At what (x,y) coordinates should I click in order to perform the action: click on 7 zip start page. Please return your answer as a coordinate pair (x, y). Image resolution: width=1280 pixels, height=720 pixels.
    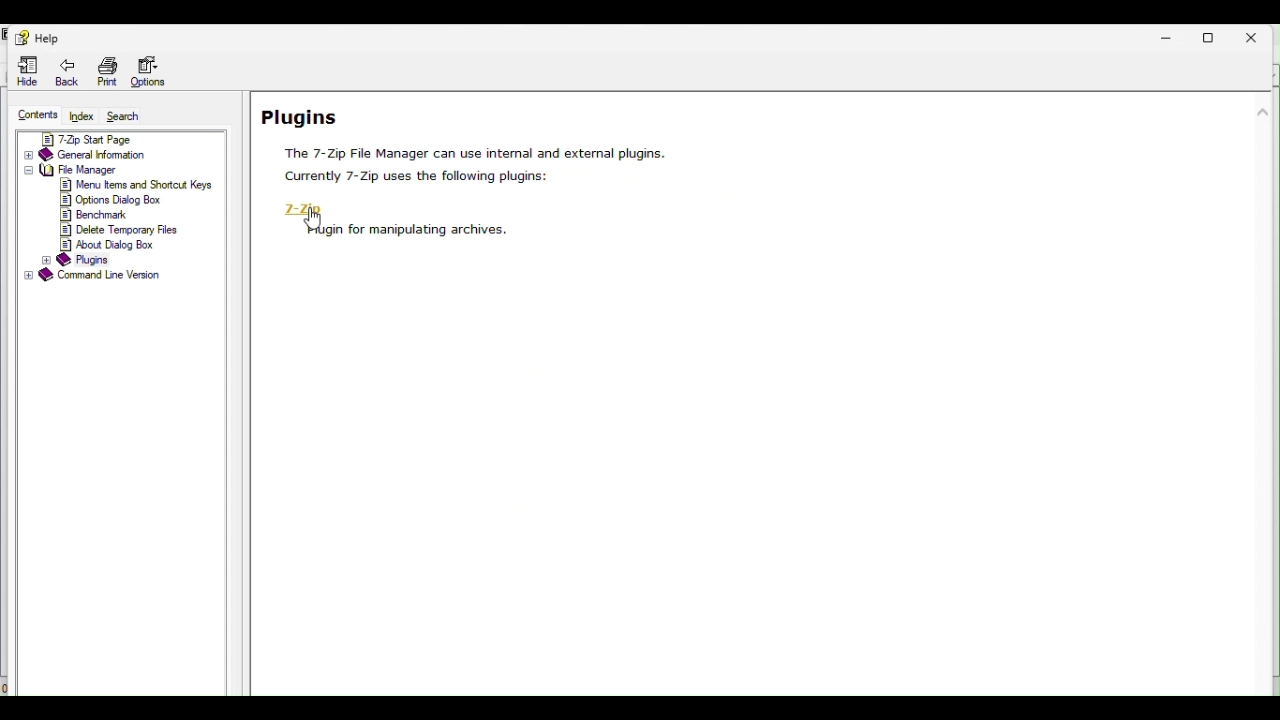
    Looking at the image, I should click on (84, 137).